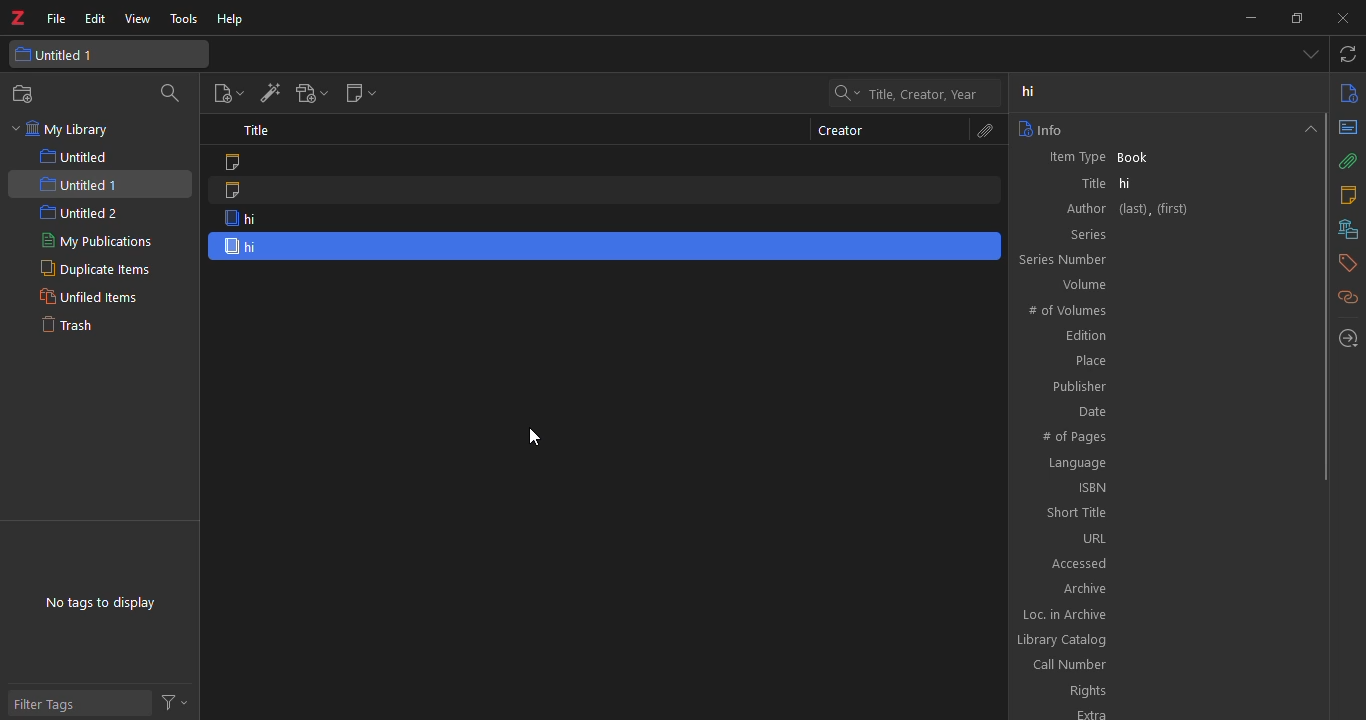 The width and height of the screenshot is (1366, 720). What do you see at coordinates (1083, 590) in the screenshot?
I see `archive` at bounding box center [1083, 590].